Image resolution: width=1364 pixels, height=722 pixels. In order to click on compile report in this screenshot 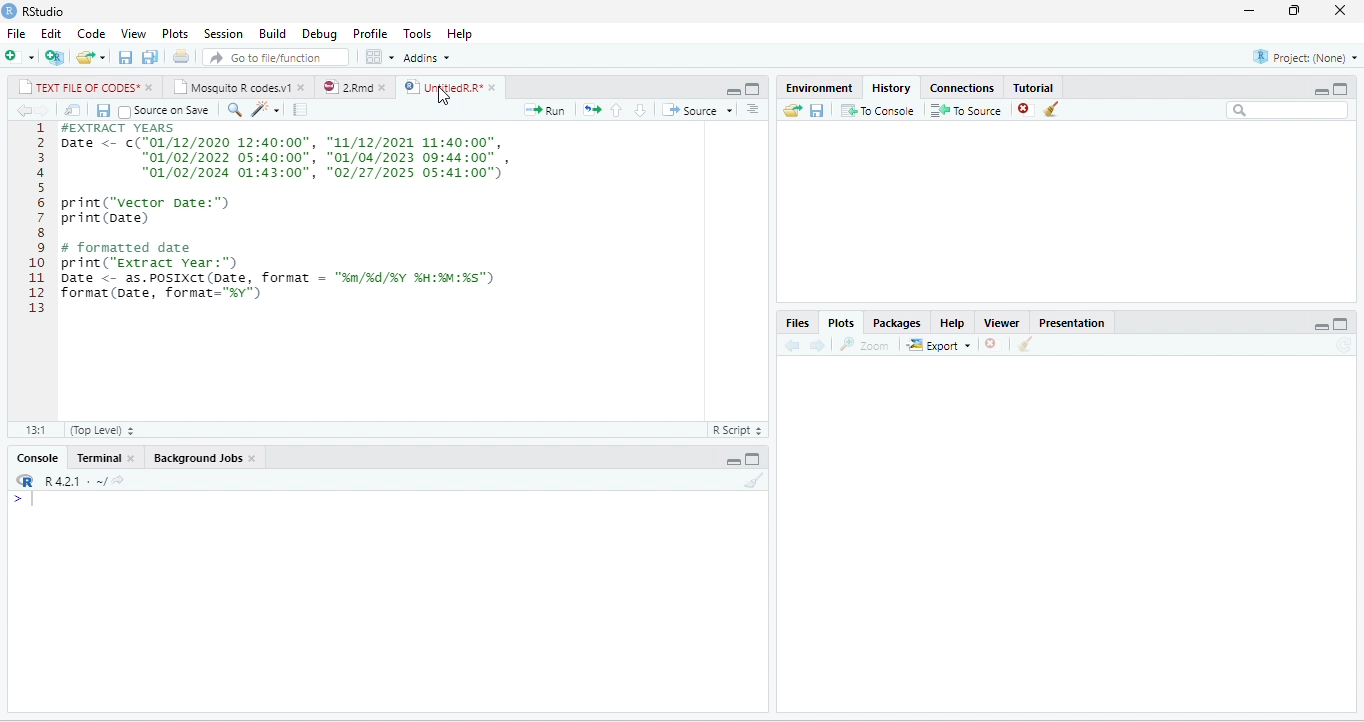, I will do `click(300, 109)`.